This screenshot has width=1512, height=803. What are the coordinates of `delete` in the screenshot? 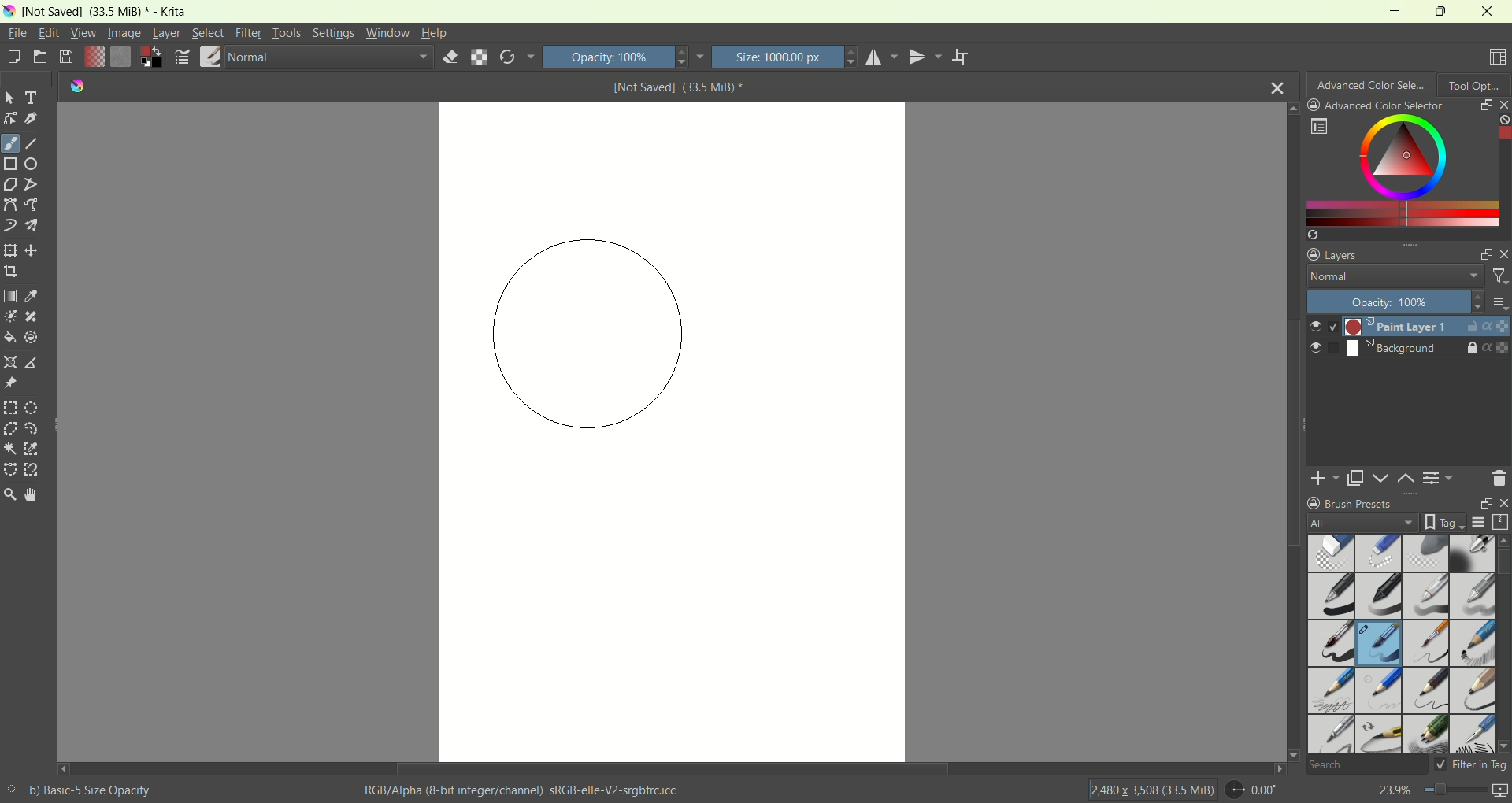 It's located at (1499, 478).